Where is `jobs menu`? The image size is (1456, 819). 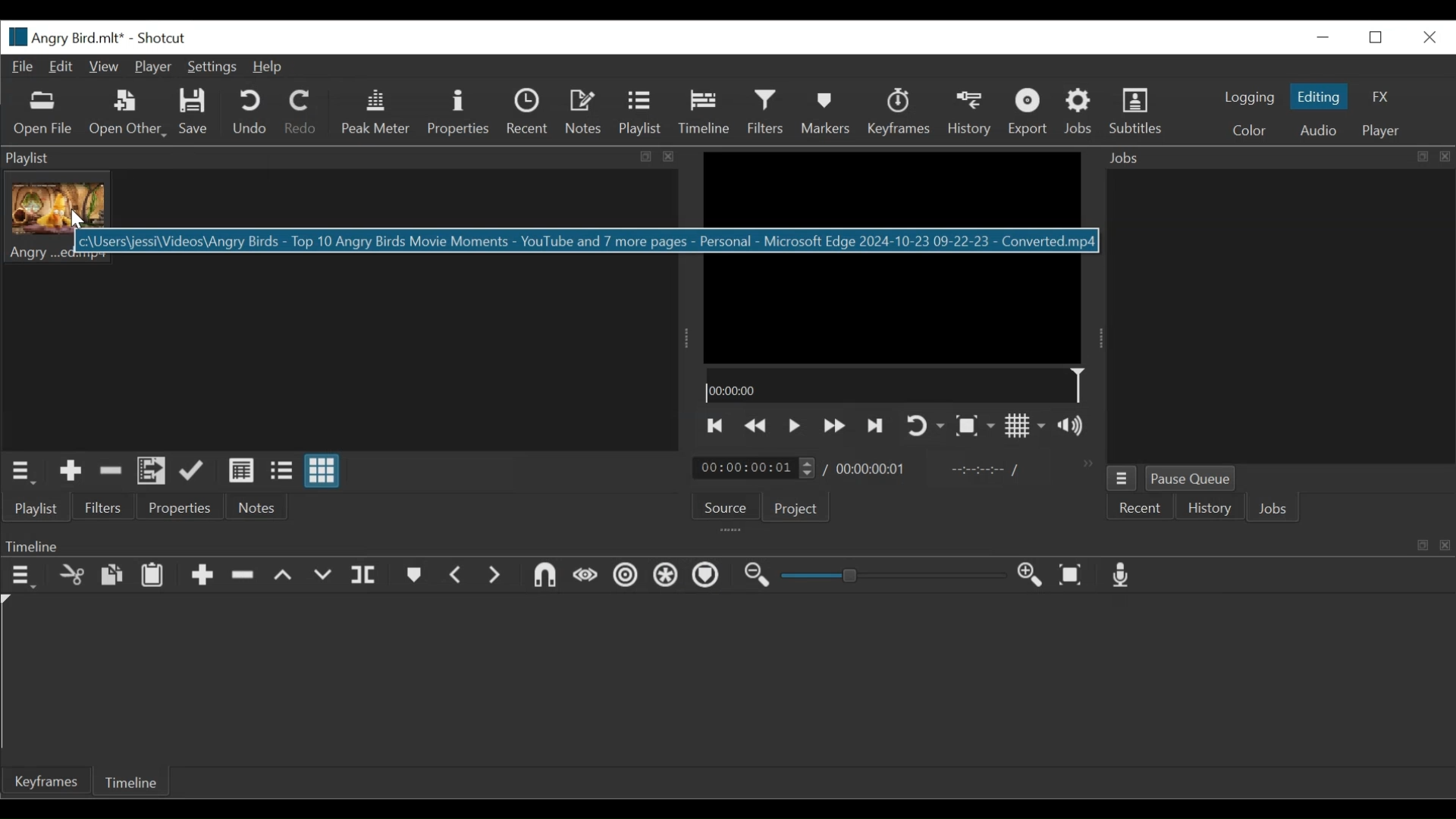
jobs menu is located at coordinates (1121, 479).